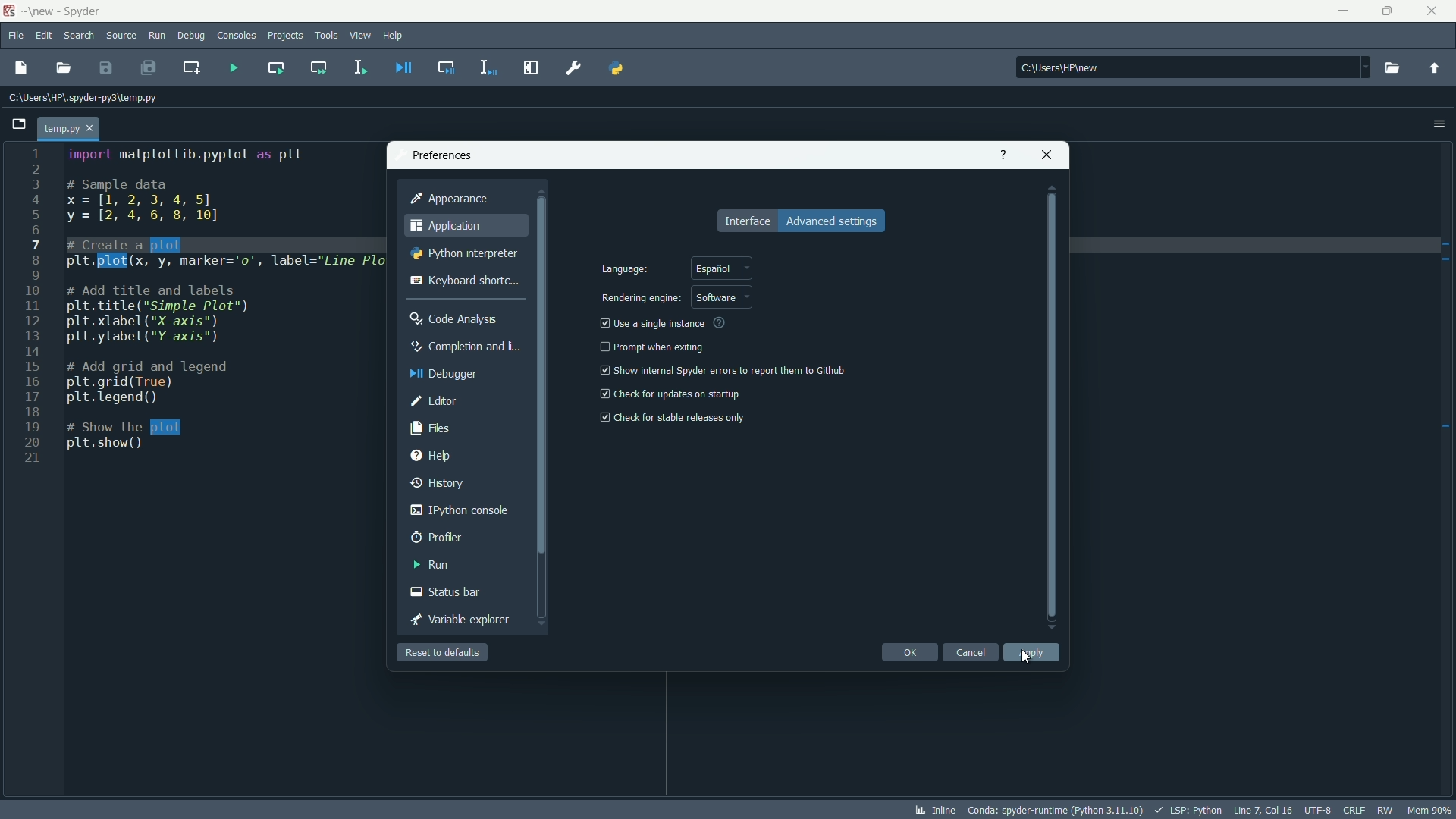  Describe the element at coordinates (447, 592) in the screenshot. I see `status bar` at that location.